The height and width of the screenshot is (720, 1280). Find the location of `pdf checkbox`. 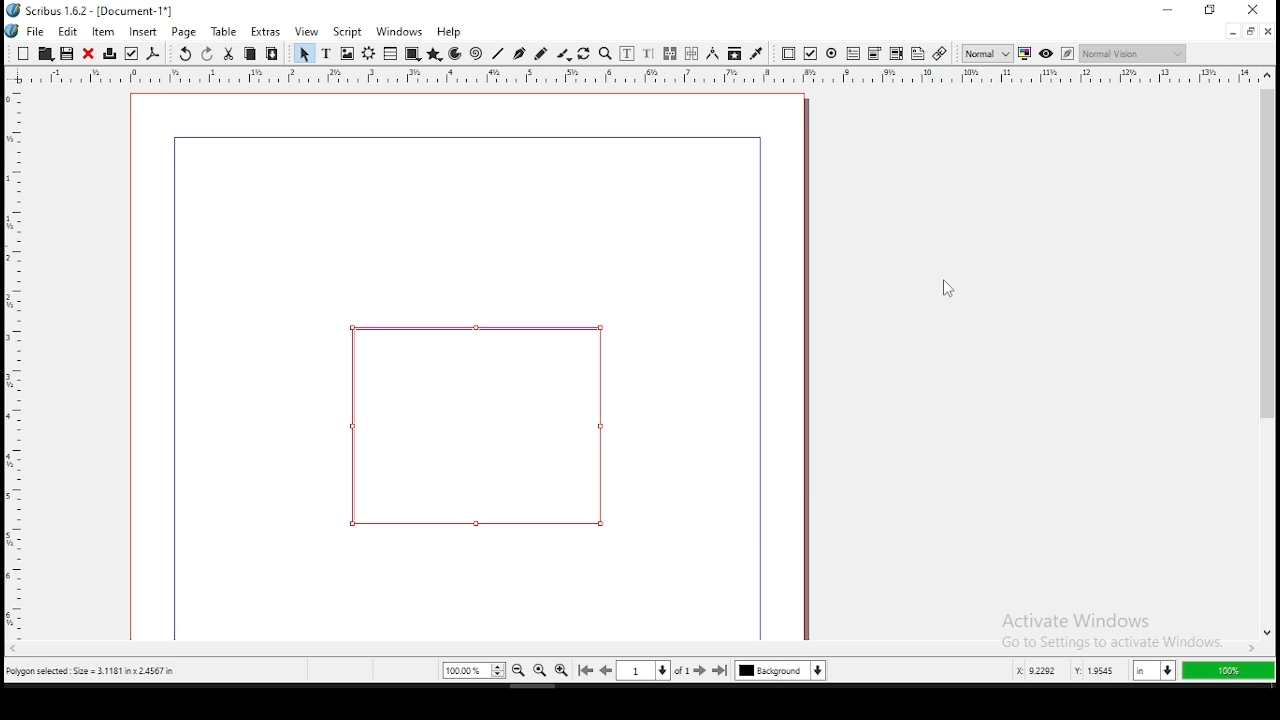

pdf checkbox is located at coordinates (810, 54).